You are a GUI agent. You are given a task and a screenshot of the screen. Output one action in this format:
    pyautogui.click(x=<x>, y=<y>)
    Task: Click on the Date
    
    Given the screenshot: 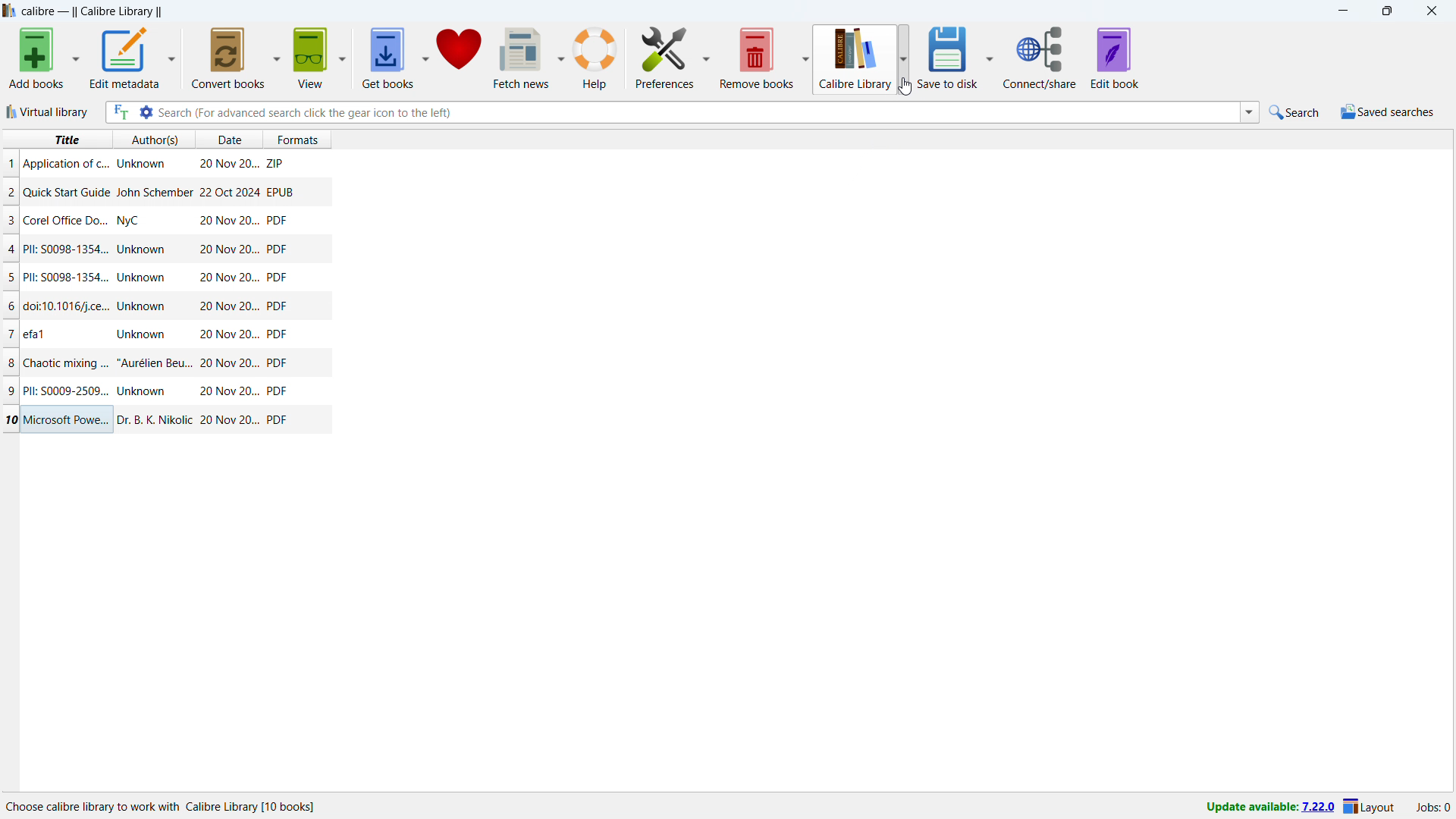 What is the action you would take?
    pyautogui.click(x=229, y=165)
    